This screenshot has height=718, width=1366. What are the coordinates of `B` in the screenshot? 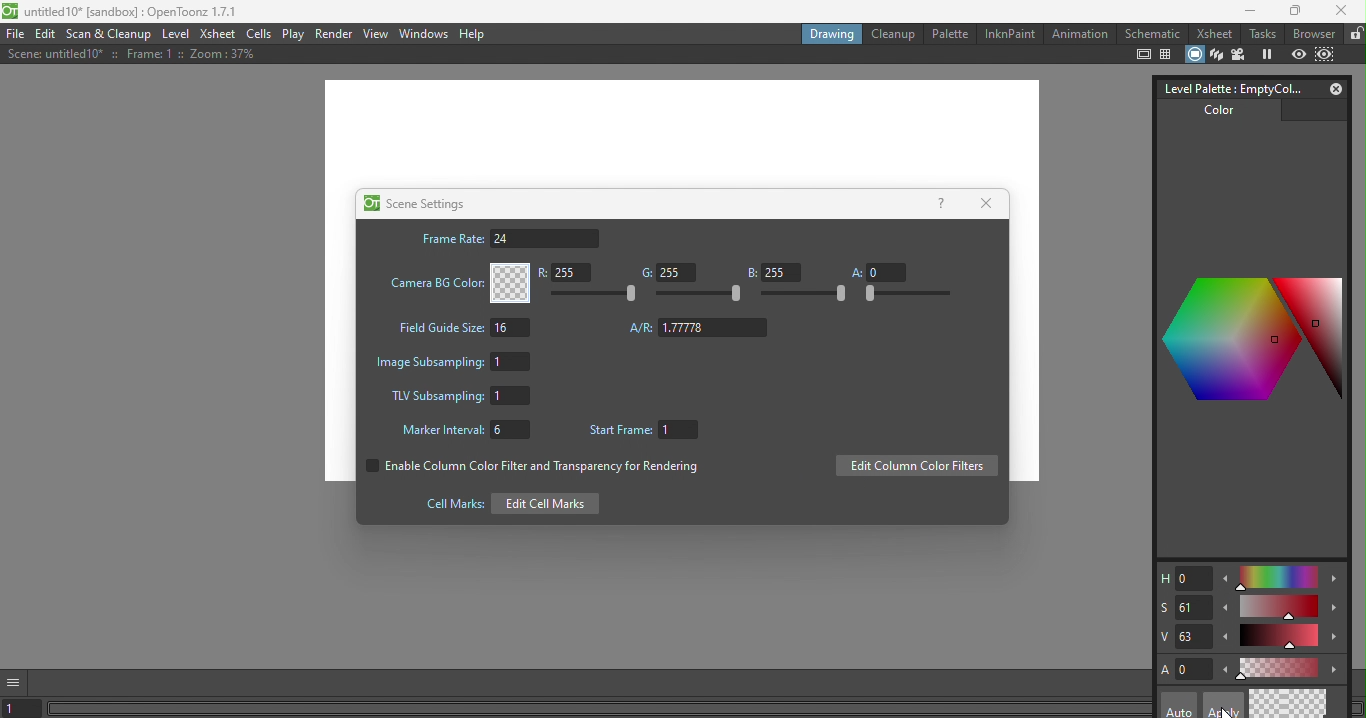 It's located at (773, 272).